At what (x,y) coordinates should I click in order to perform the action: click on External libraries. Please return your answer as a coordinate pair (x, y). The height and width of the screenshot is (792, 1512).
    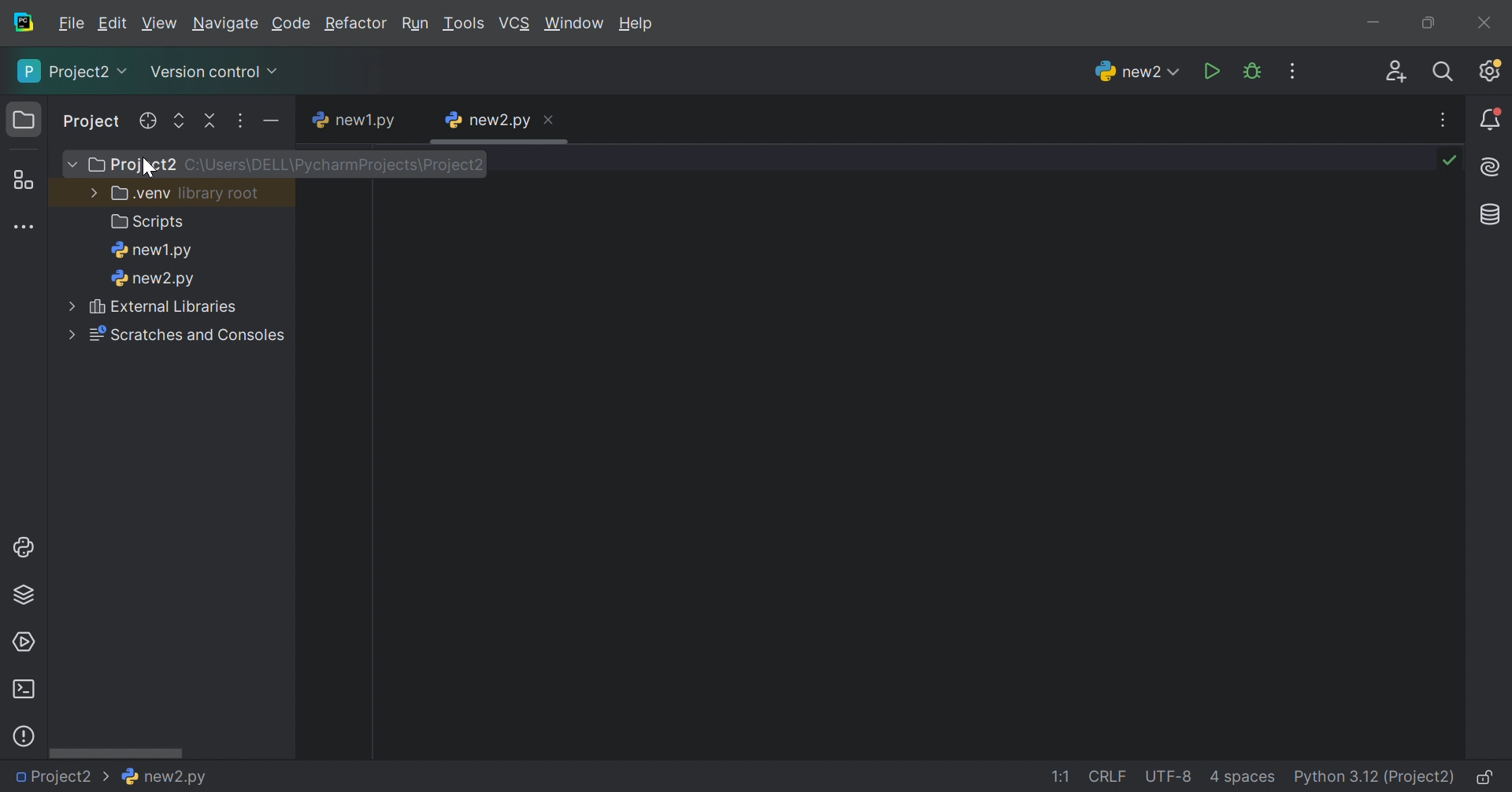
    Looking at the image, I should click on (165, 307).